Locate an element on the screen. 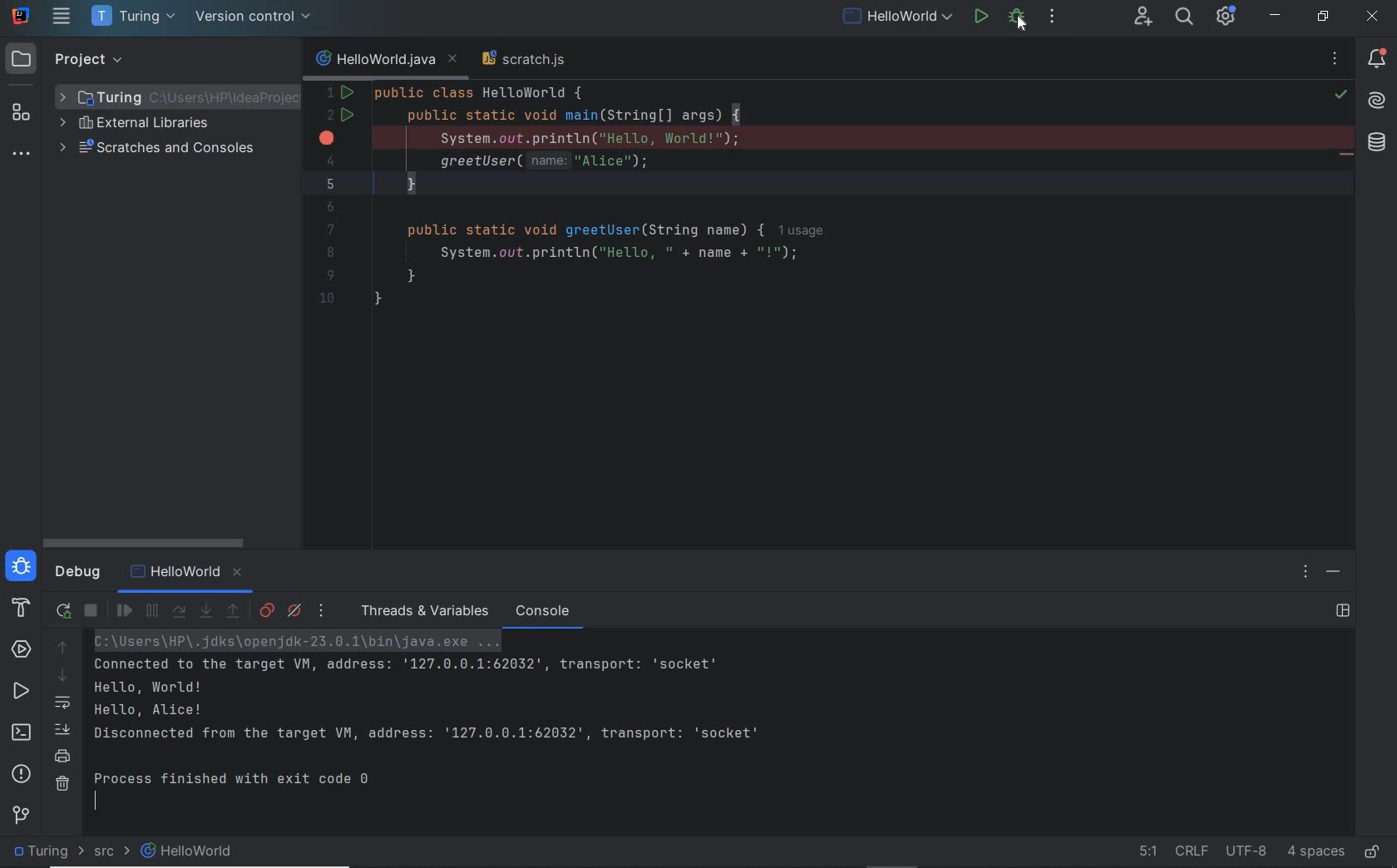 Image resolution: width=1397 pixels, height=868 pixels. external libraries is located at coordinates (136, 125).